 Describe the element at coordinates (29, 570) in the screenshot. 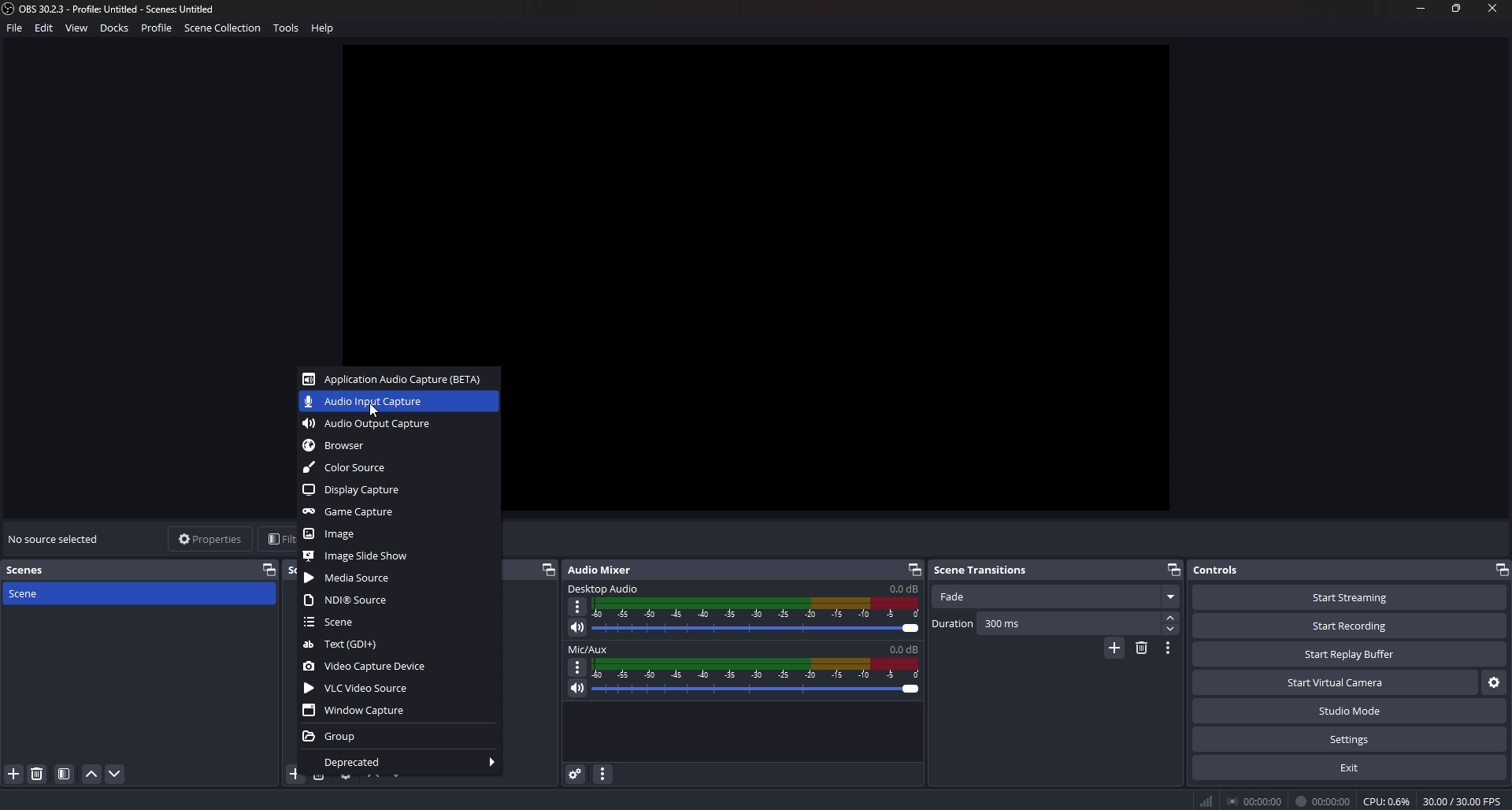

I see `scenes` at that location.